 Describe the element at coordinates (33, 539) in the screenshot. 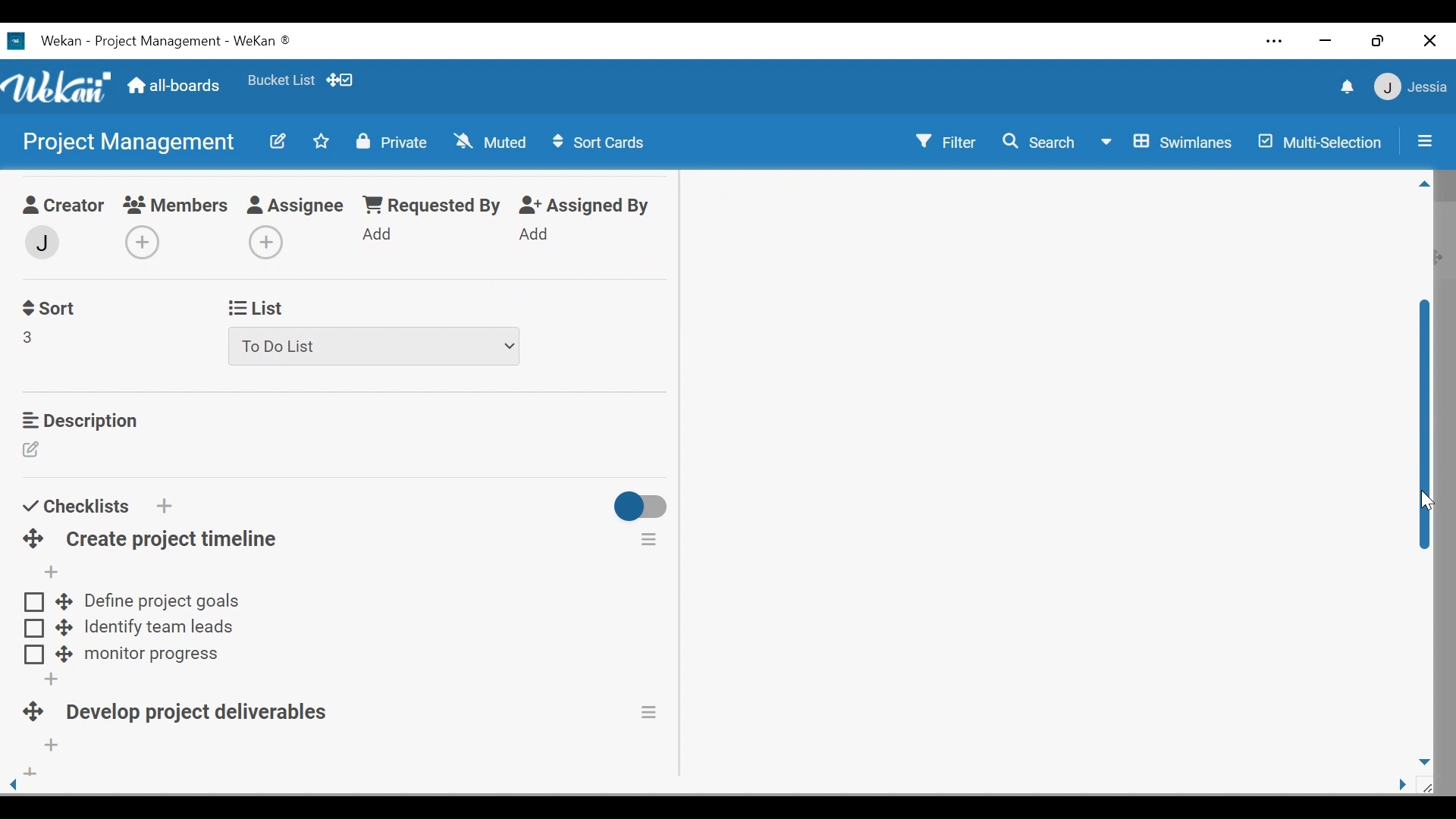

I see `Desktop drag handles` at that location.